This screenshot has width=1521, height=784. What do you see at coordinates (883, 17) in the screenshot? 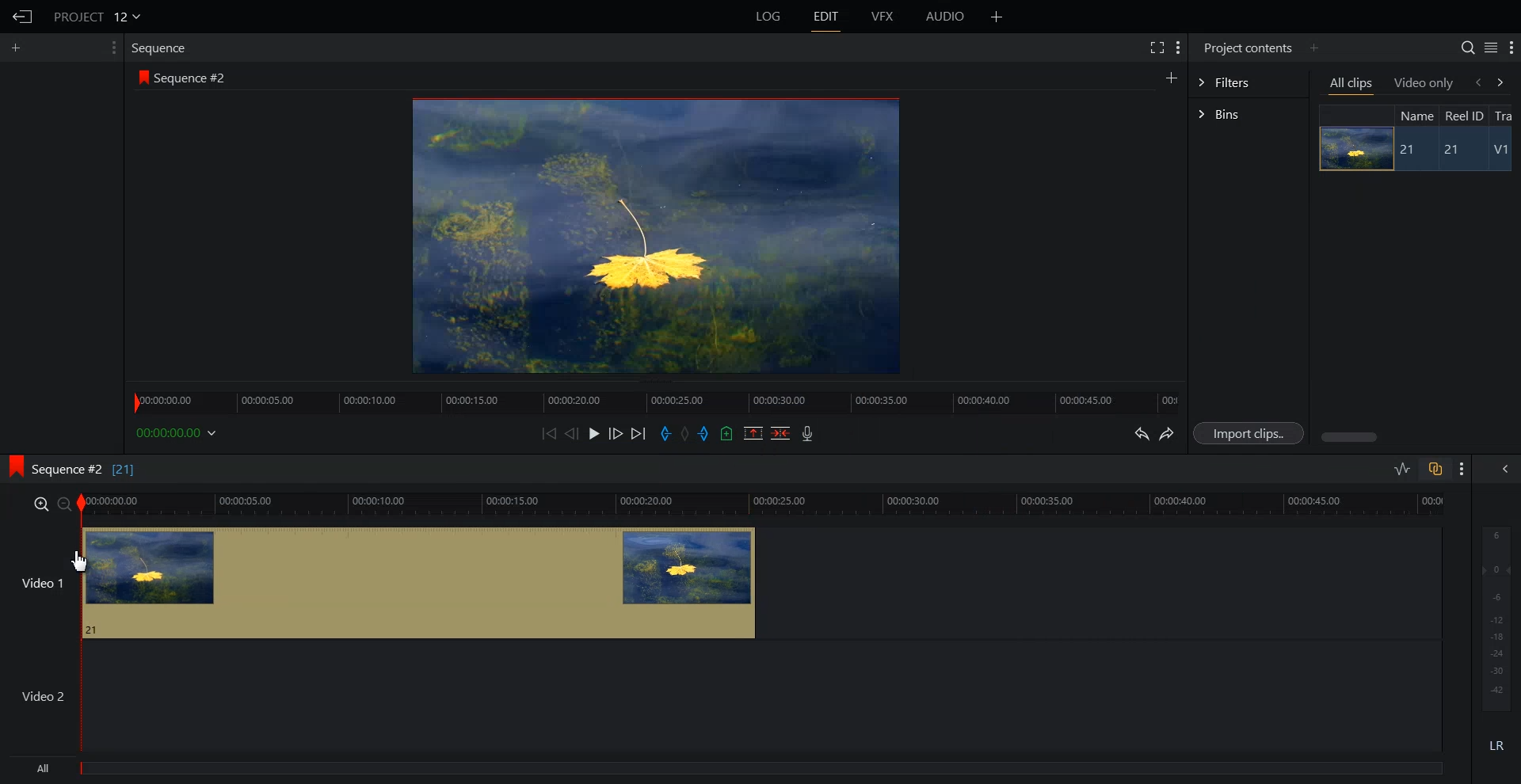
I see `VFX` at bounding box center [883, 17].